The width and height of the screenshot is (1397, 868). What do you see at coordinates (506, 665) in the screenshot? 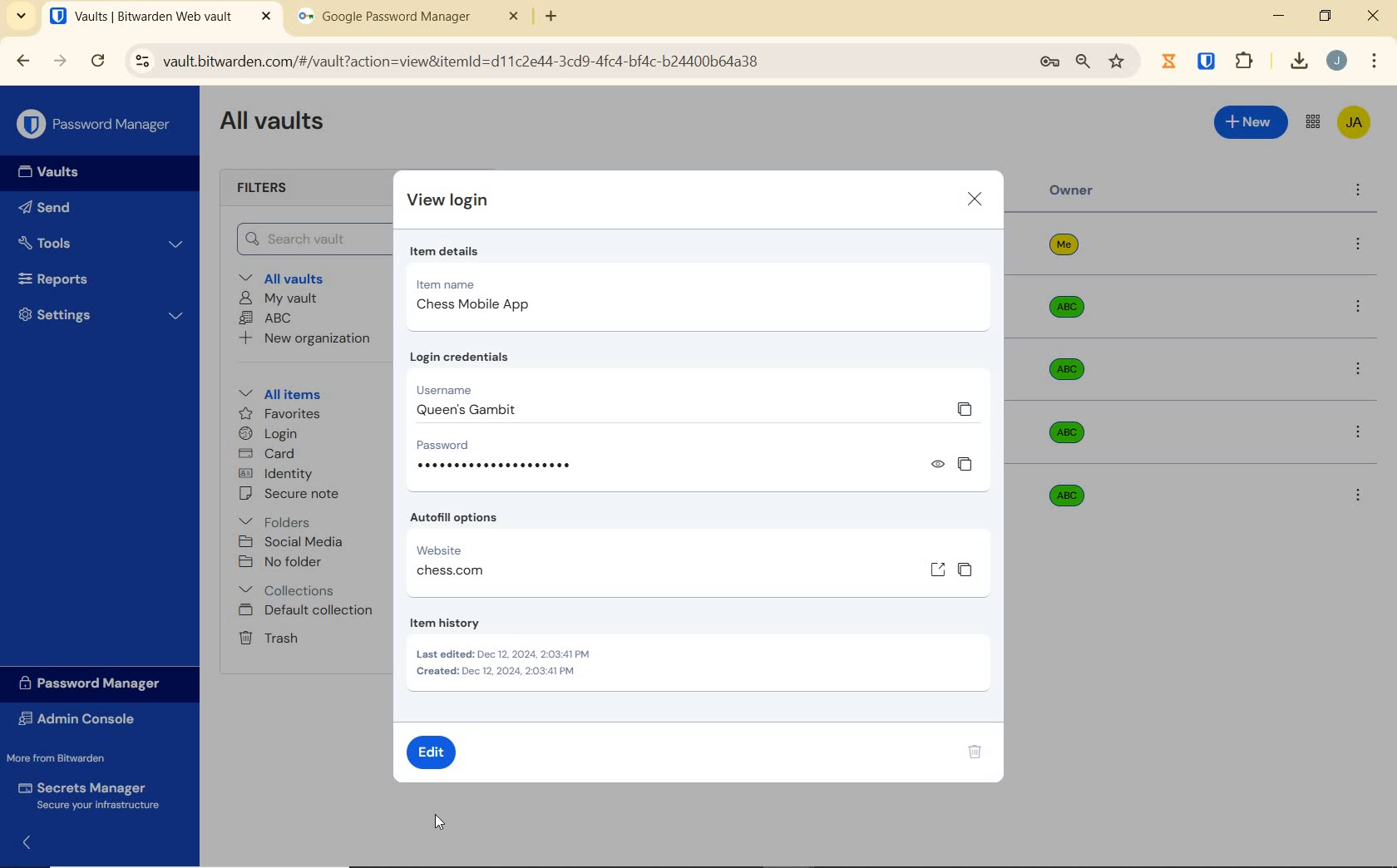
I see `Last edited: Dec 12. 2024, 2:03:41 PM
Created: Dec 12, 2024, 203:41 PM` at bounding box center [506, 665].